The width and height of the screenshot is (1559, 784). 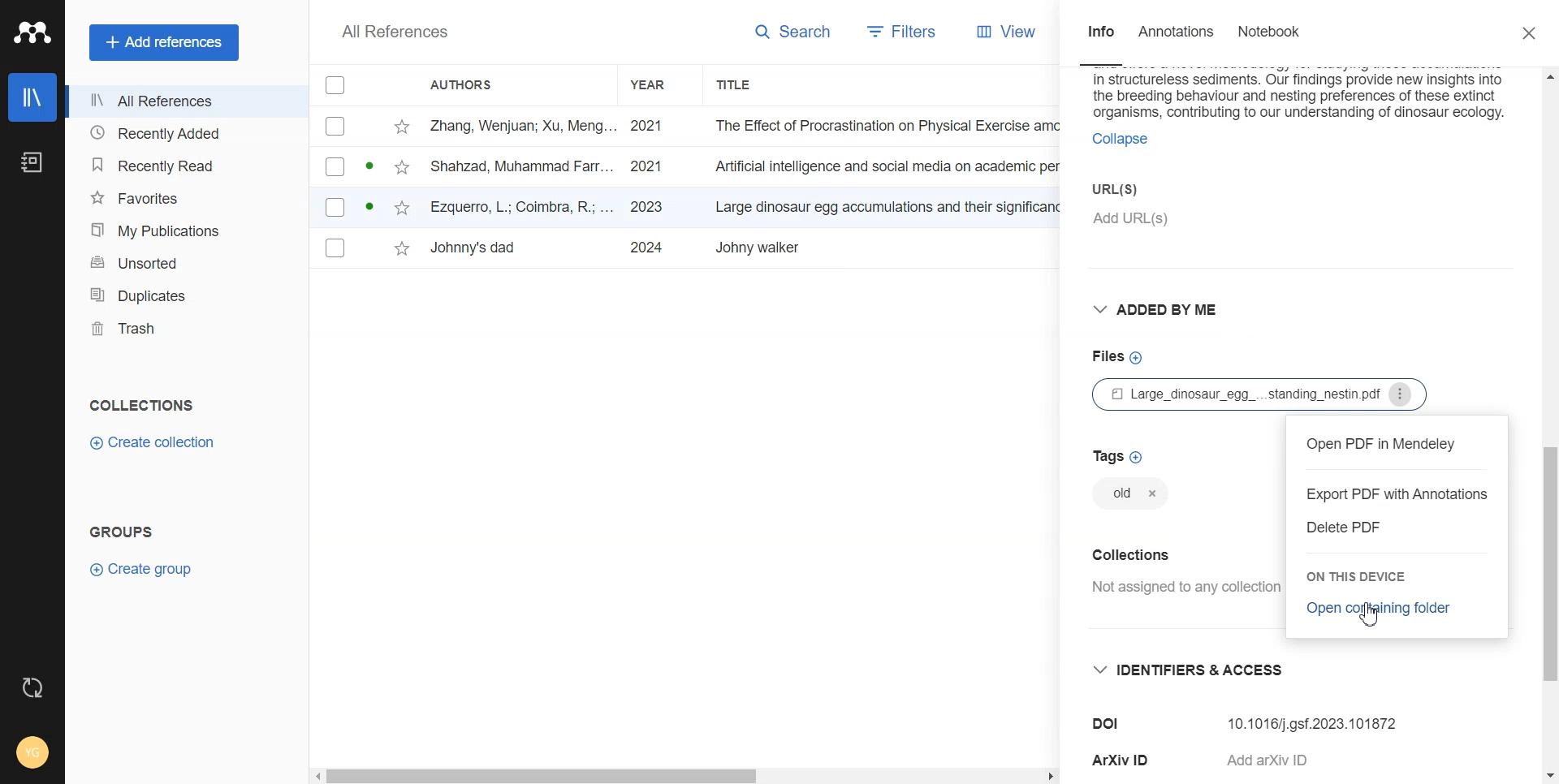 I want to click on Title, so click(x=879, y=205).